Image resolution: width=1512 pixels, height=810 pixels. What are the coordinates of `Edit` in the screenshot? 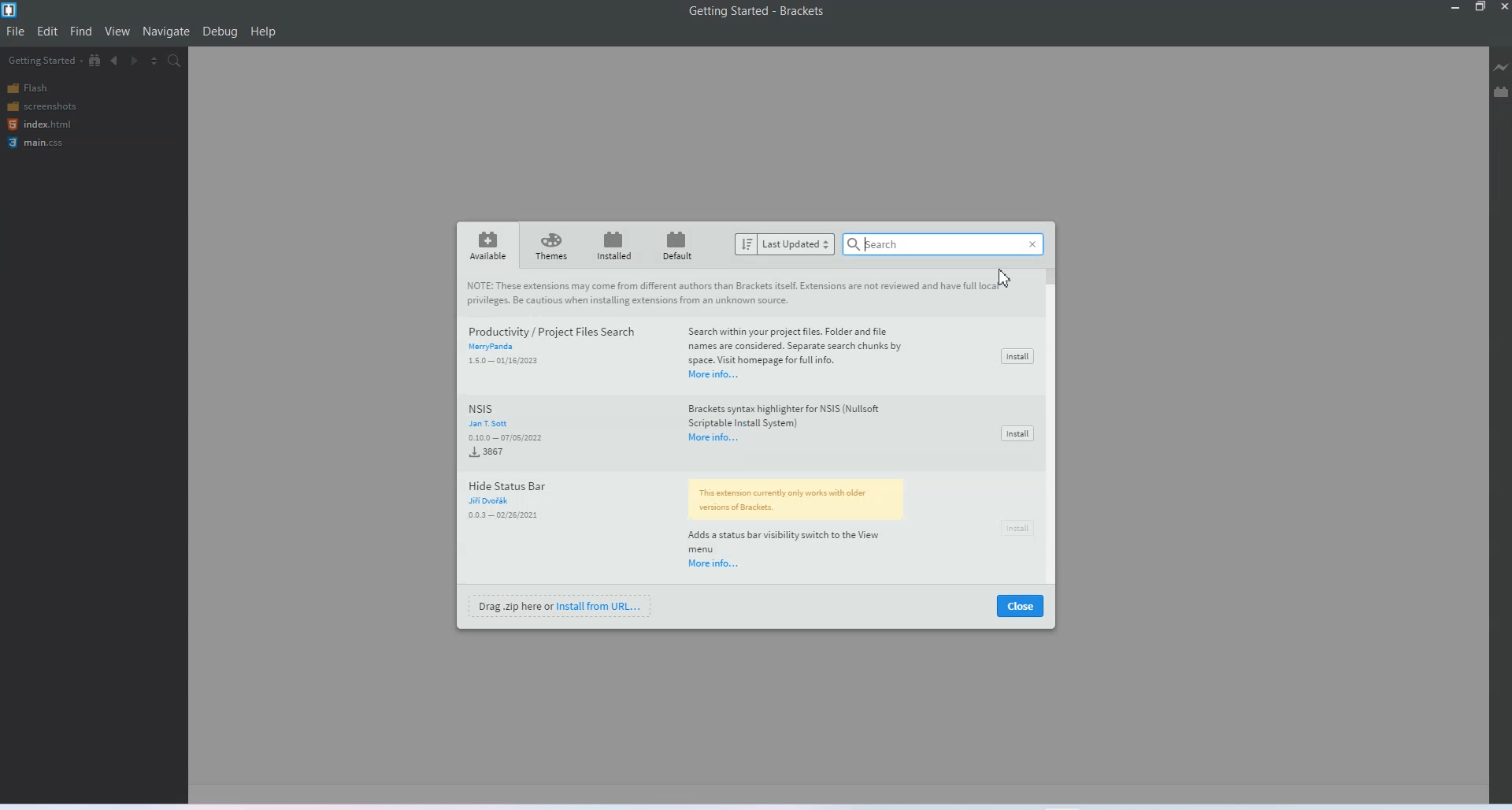 It's located at (49, 32).